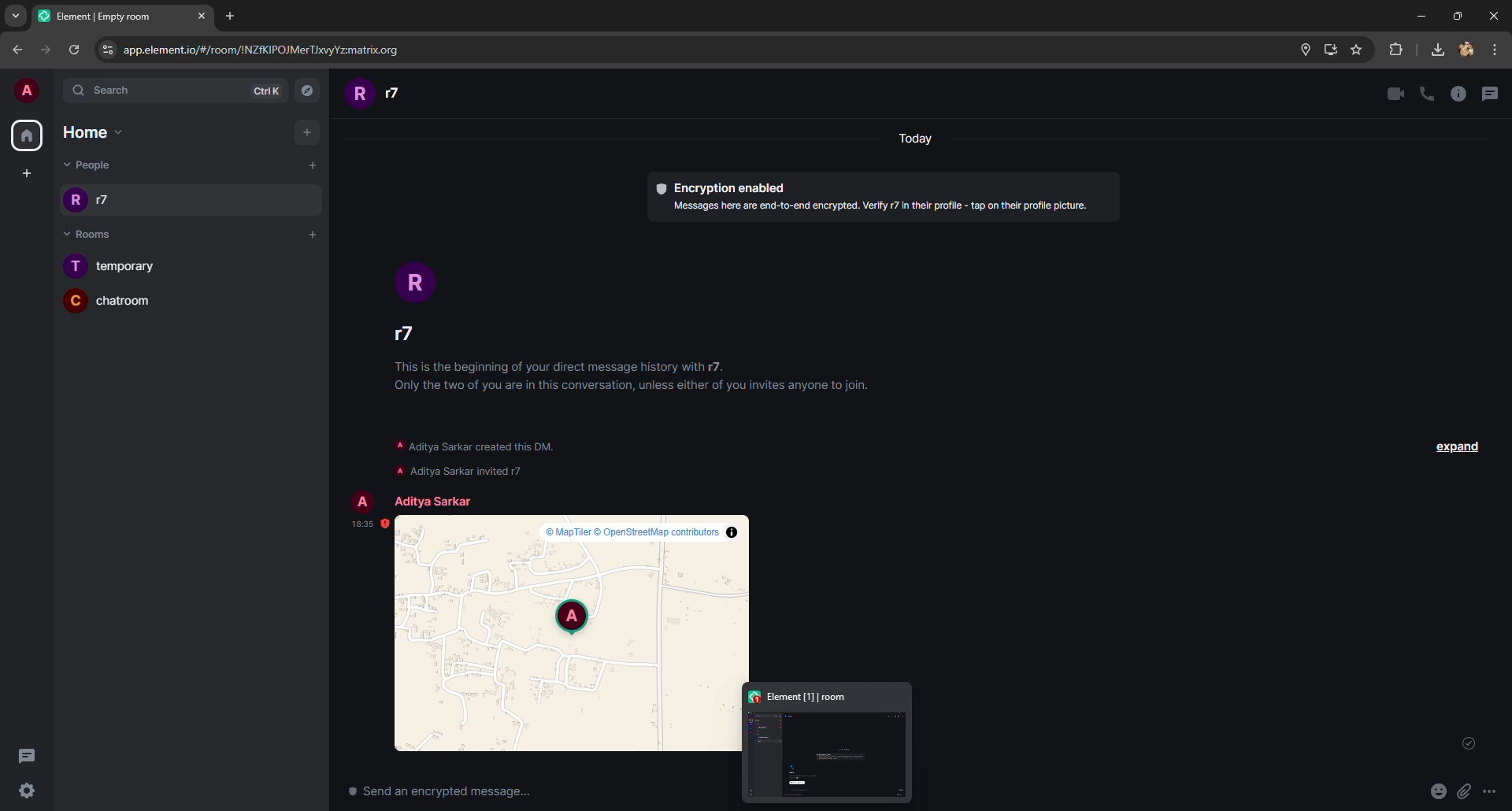 The image size is (1512, 811). Describe the element at coordinates (1421, 17) in the screenshot. I see `minimize` at that location.